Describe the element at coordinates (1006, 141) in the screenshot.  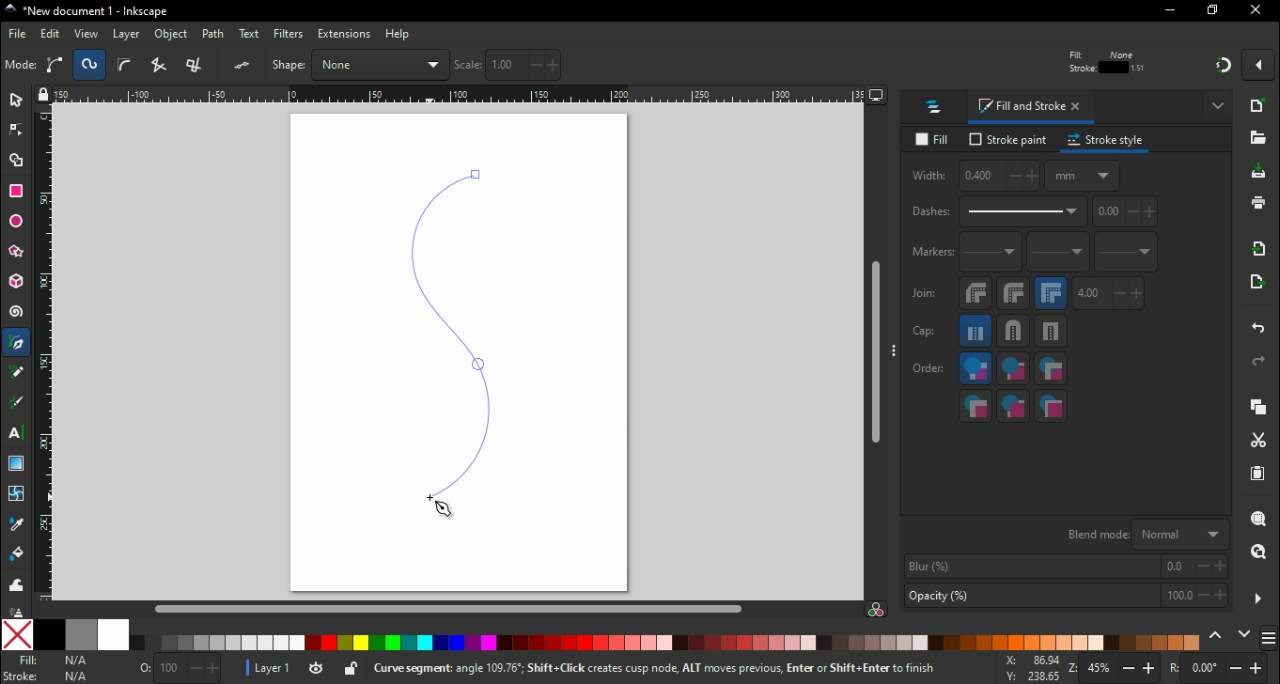
I see `stroke paint` at that location.